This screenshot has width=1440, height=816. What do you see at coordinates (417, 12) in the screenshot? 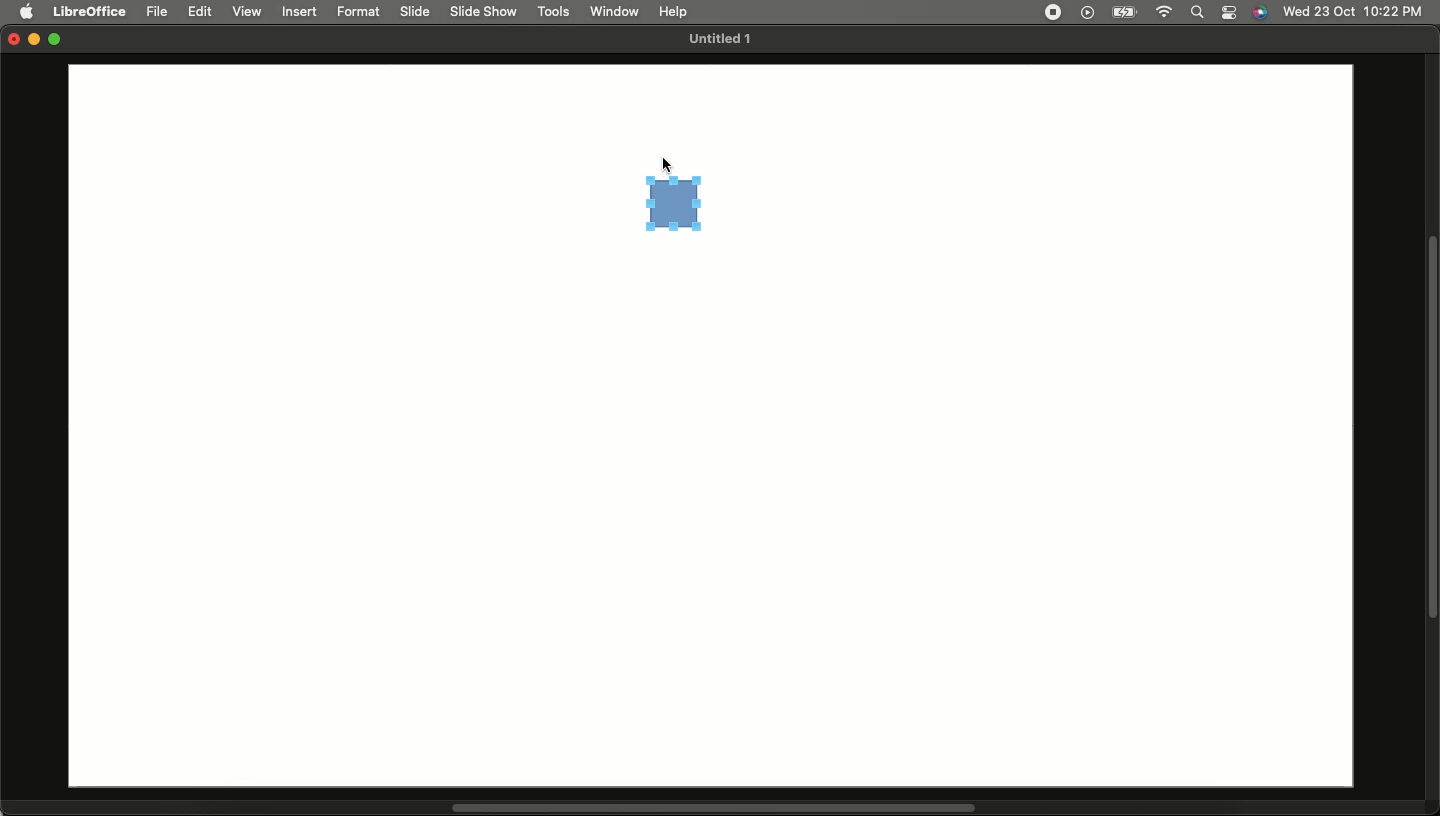
I see `Slide` at bounding box center [417, 12].